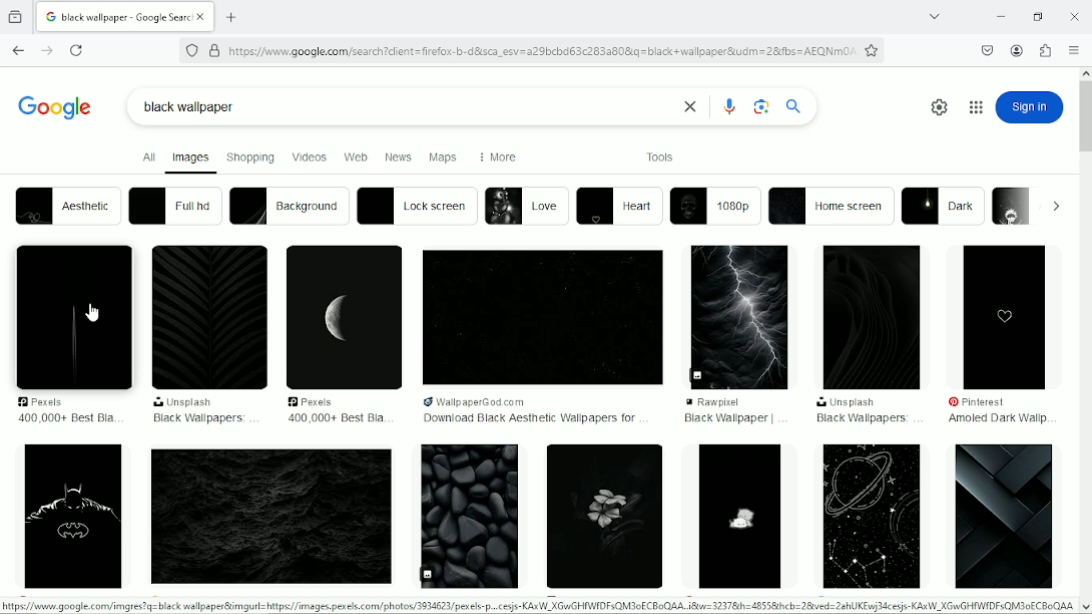 Image resolution: width=1092 pixels, height=614 pixels. What do you see at coordinates (934, 17) in the screenshot?
I see `list all tabs` at bounding box center [934, 17].